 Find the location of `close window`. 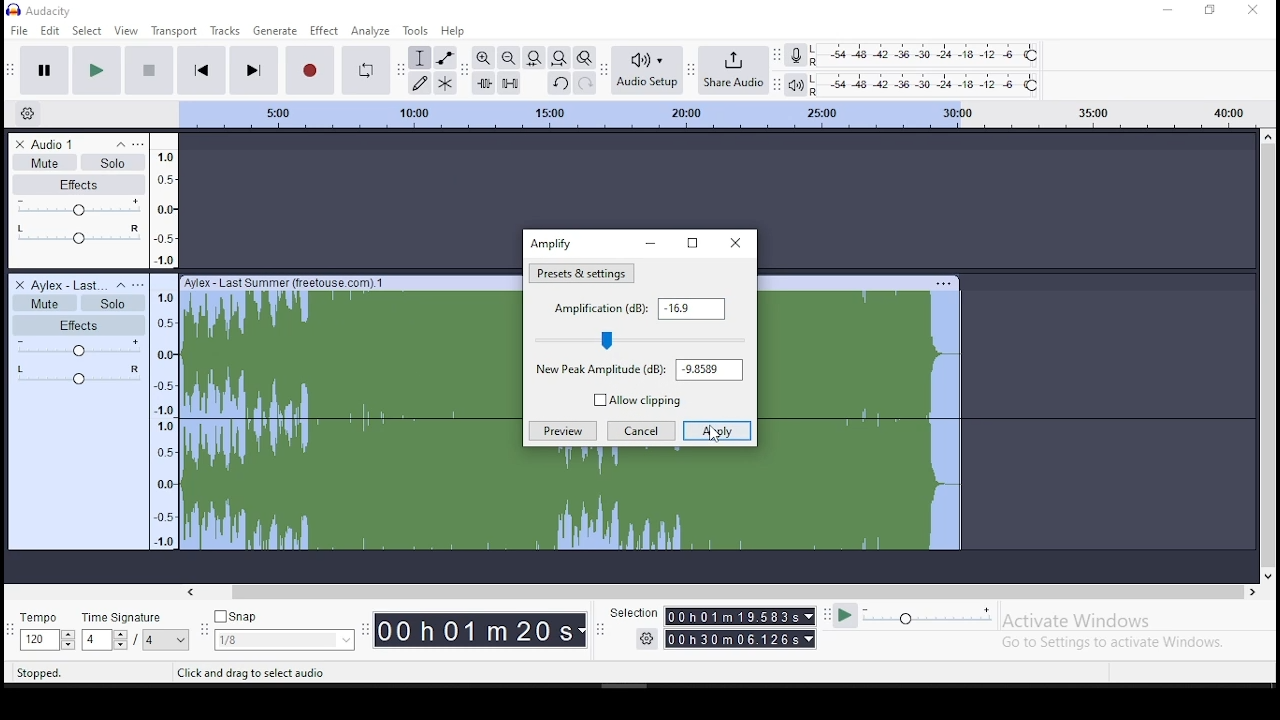

close window is located at coordinates (1254, 12).